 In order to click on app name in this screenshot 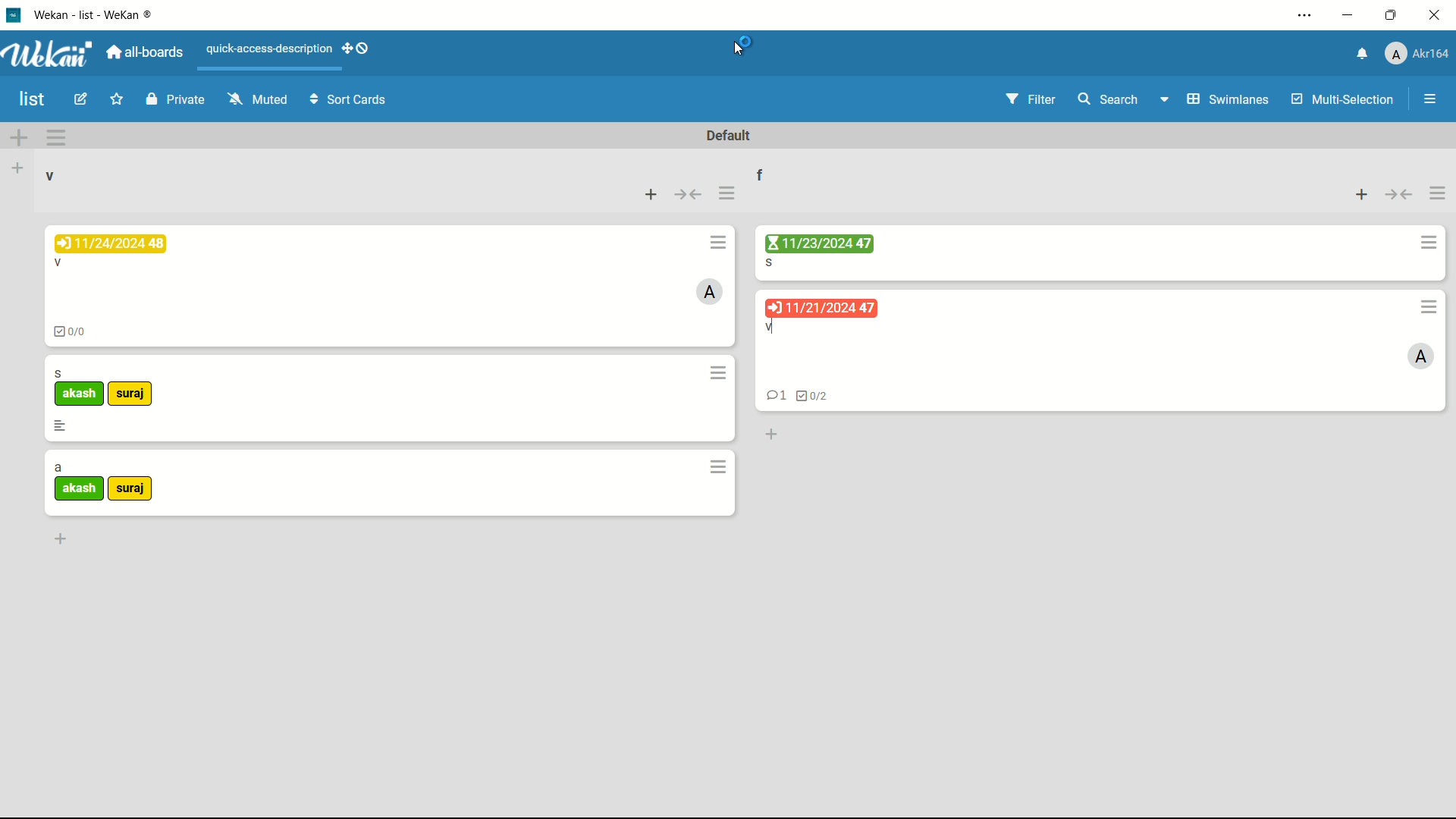, I will do `click(102, 16)`.